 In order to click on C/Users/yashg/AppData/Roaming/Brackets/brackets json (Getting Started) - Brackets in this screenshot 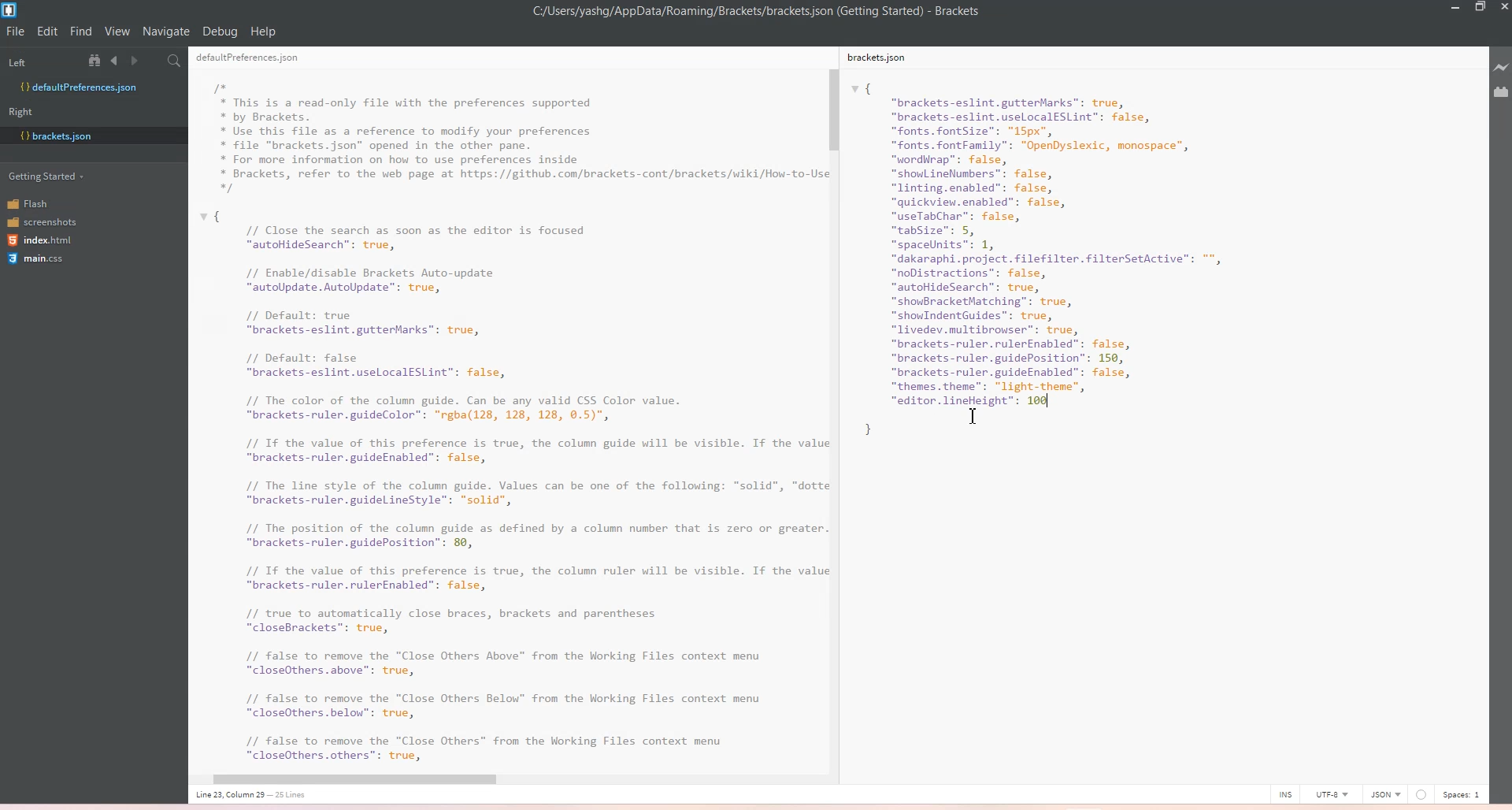, I will do `click(768, 12)`.